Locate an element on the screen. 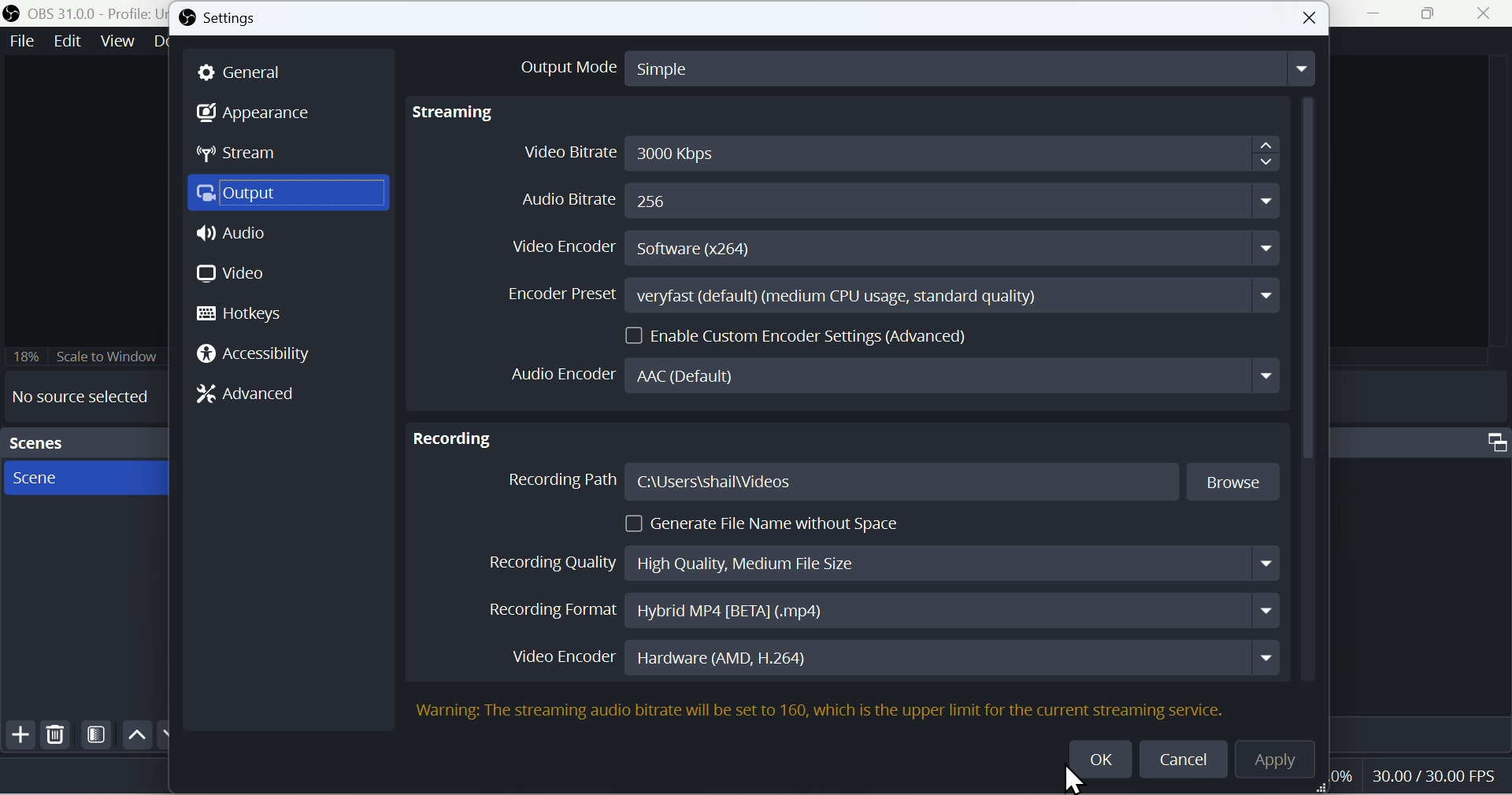  Add is located at coordinates (18, 738).